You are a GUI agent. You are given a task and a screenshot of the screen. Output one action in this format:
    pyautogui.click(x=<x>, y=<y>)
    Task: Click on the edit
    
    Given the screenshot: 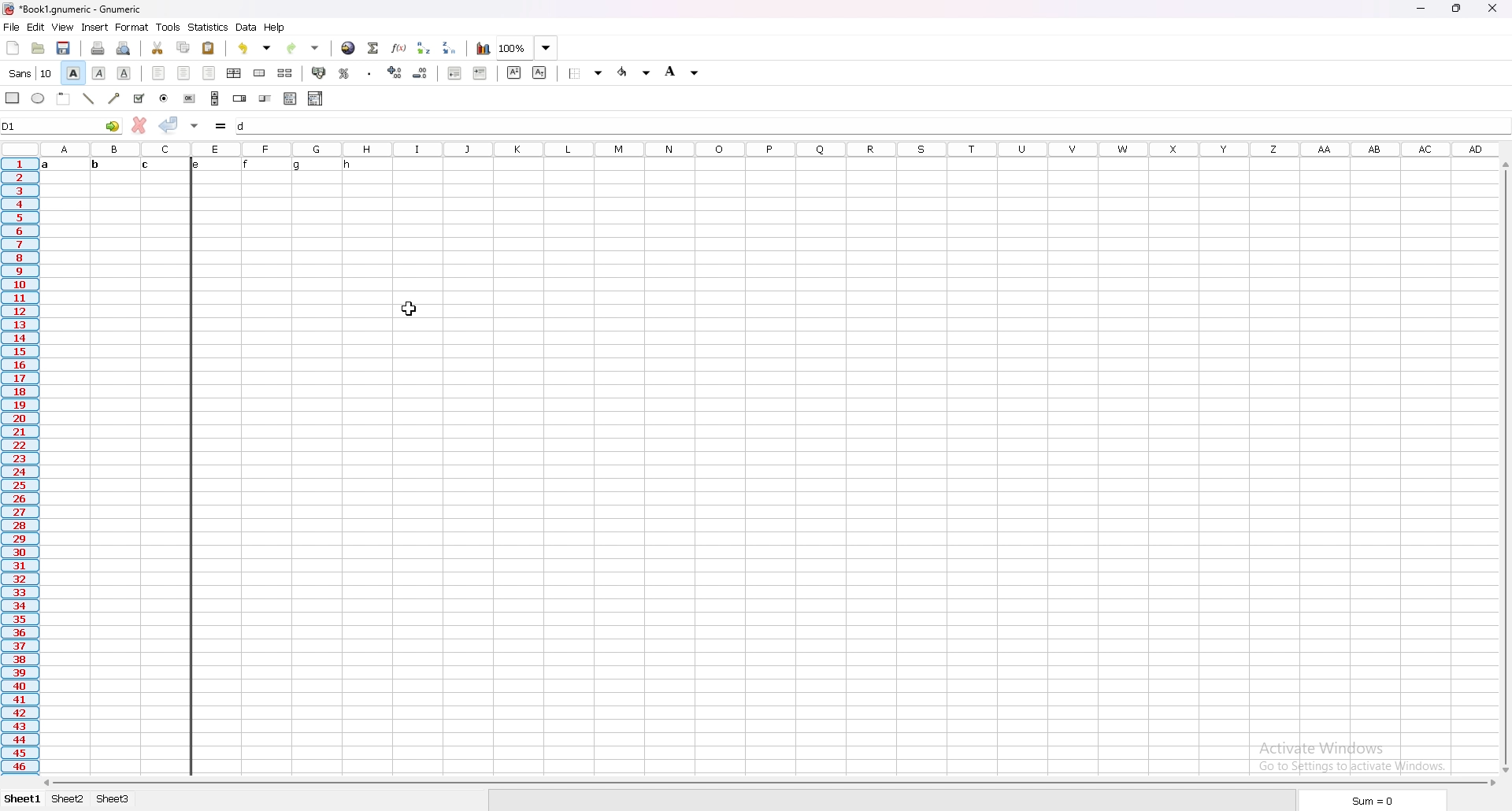 What is the action you would take?
    pyautogui.click(x=35, y=27)
    